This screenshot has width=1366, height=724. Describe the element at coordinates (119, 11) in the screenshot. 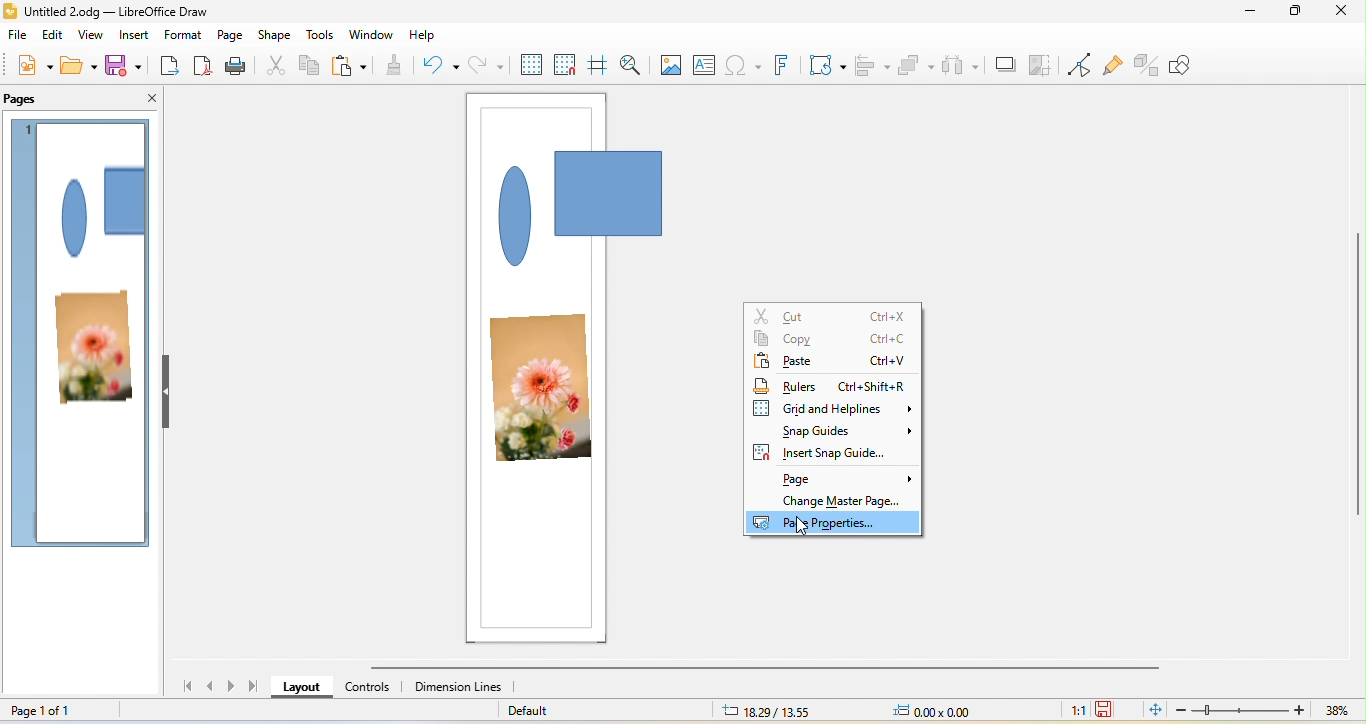

I see `Untitled 2.odg - LibreOffice Draw` at that location.